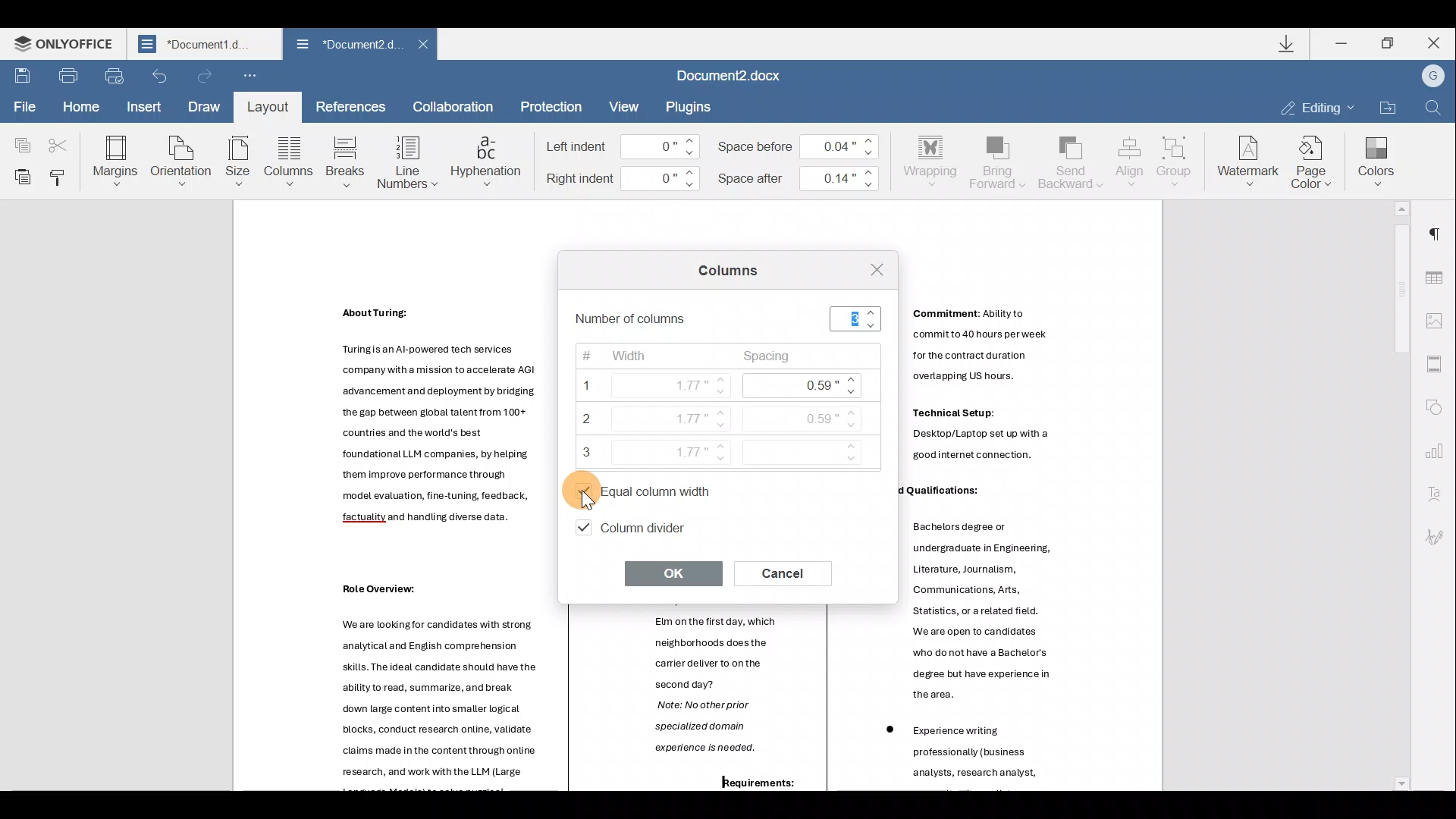  Describe the element at coordinates (453, 106) in the screenshot. I see `Collaboration` at that location.